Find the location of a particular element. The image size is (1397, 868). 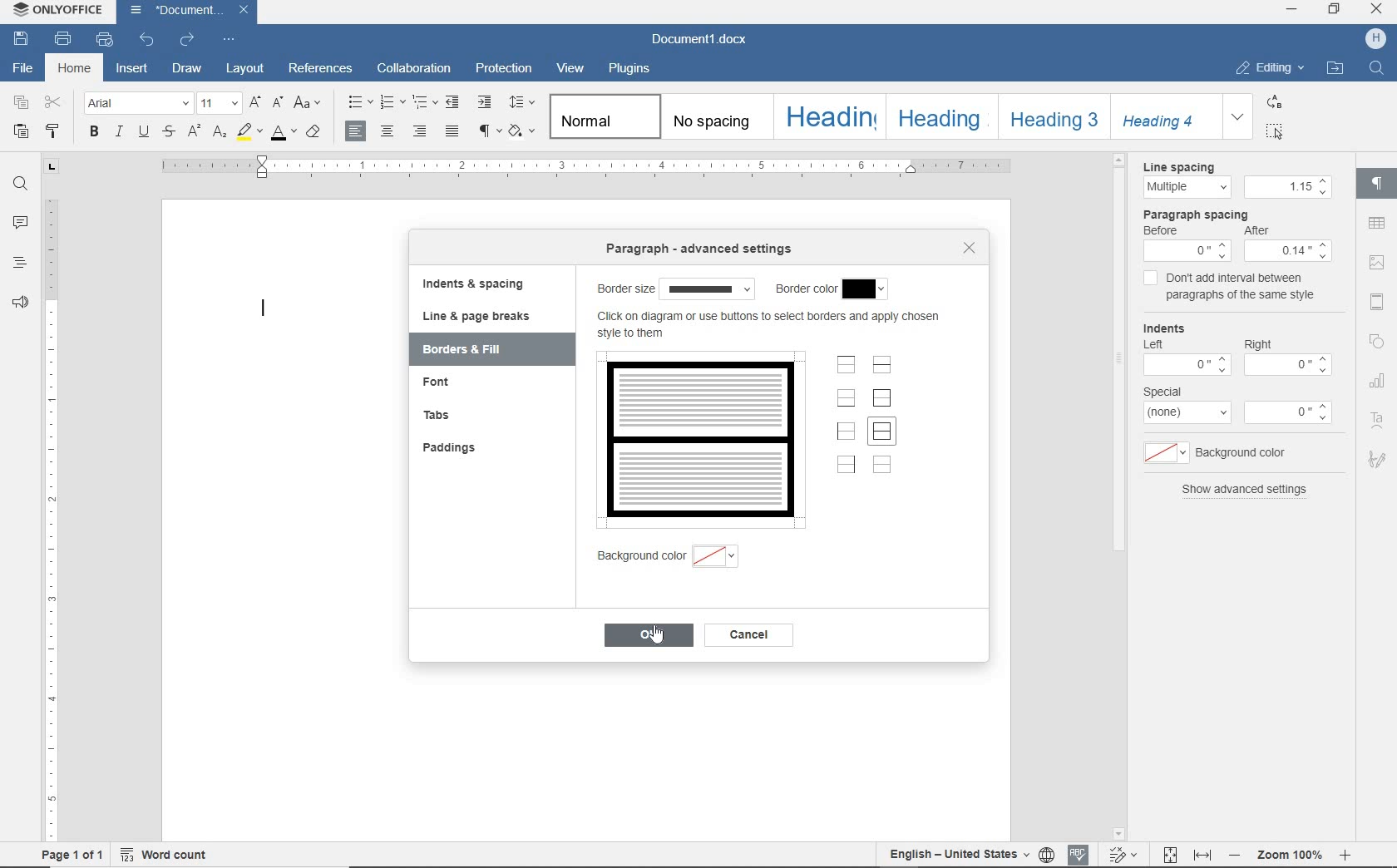

Paragraph Spacing: Before 0, After:0.14 is located at coordinates (1230, 236).